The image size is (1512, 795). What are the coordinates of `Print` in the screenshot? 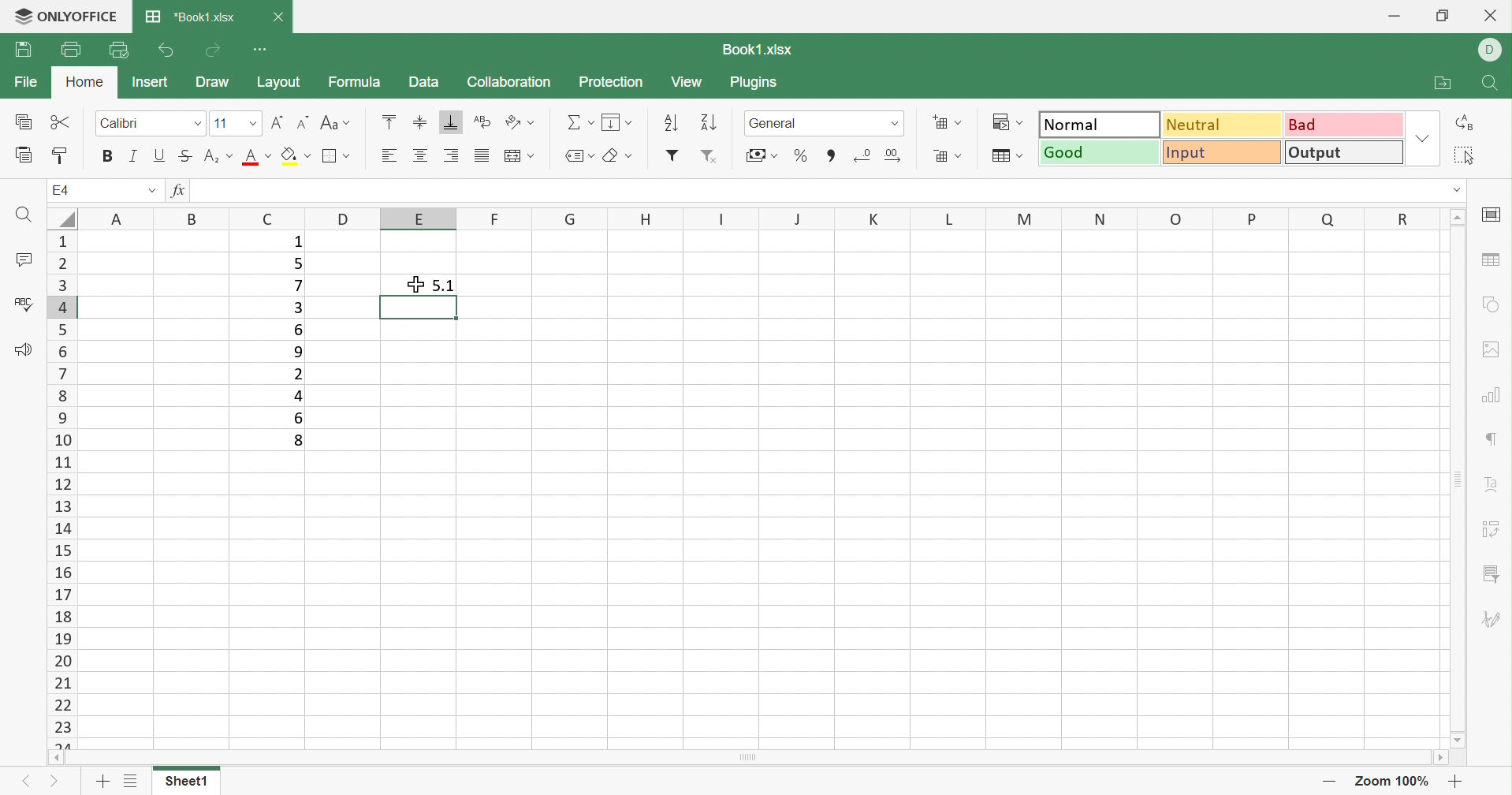 It's located at (20, 52).